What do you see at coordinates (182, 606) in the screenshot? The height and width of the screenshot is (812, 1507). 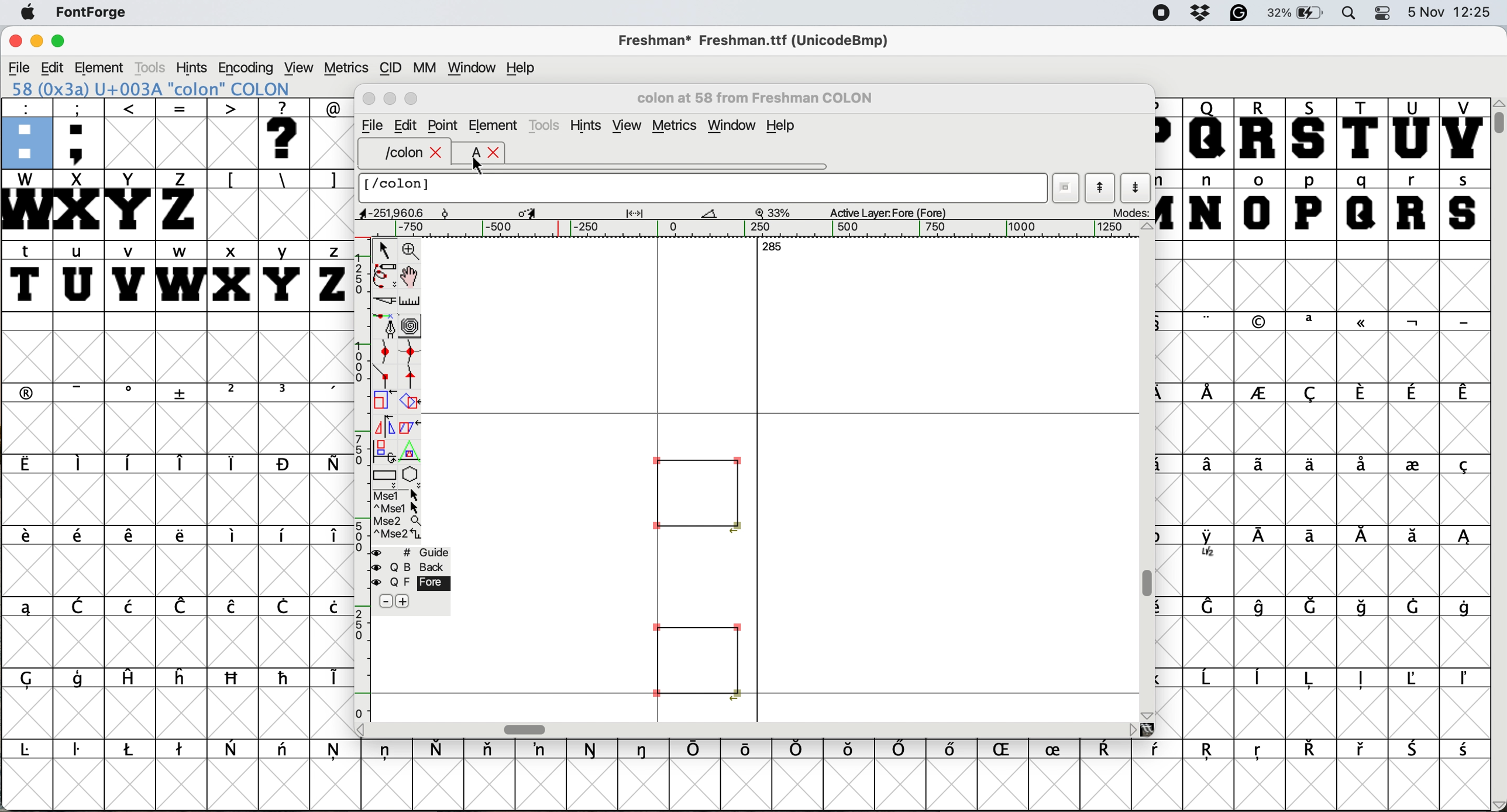 I see `symbol` at bounding box center [182, 606].